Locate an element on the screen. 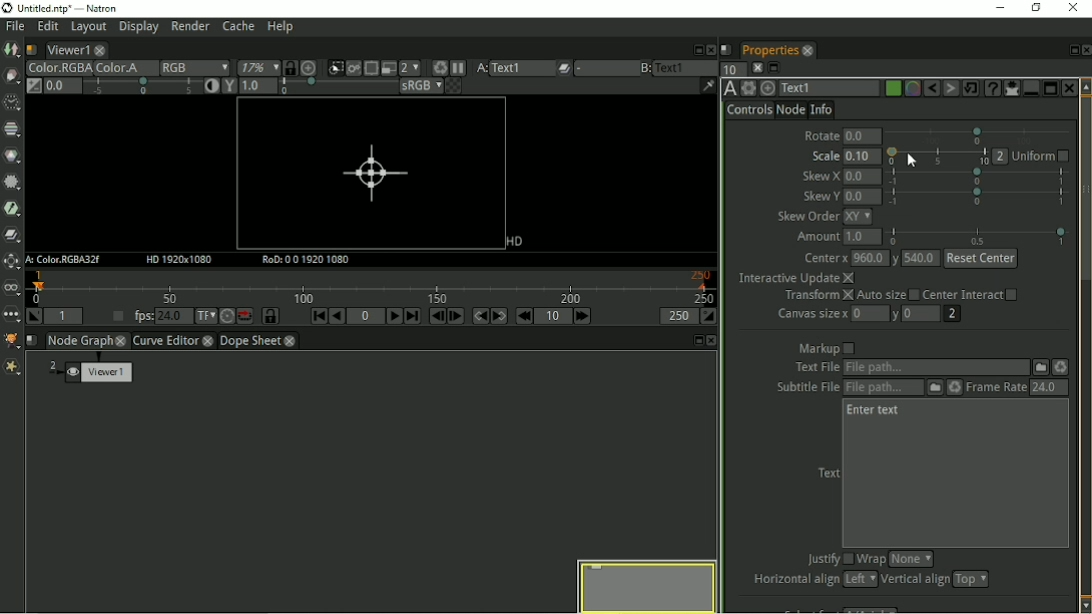 The height and width of the screenshot is (614, 1092). Dope sheet is located at coordinates (262, 341).